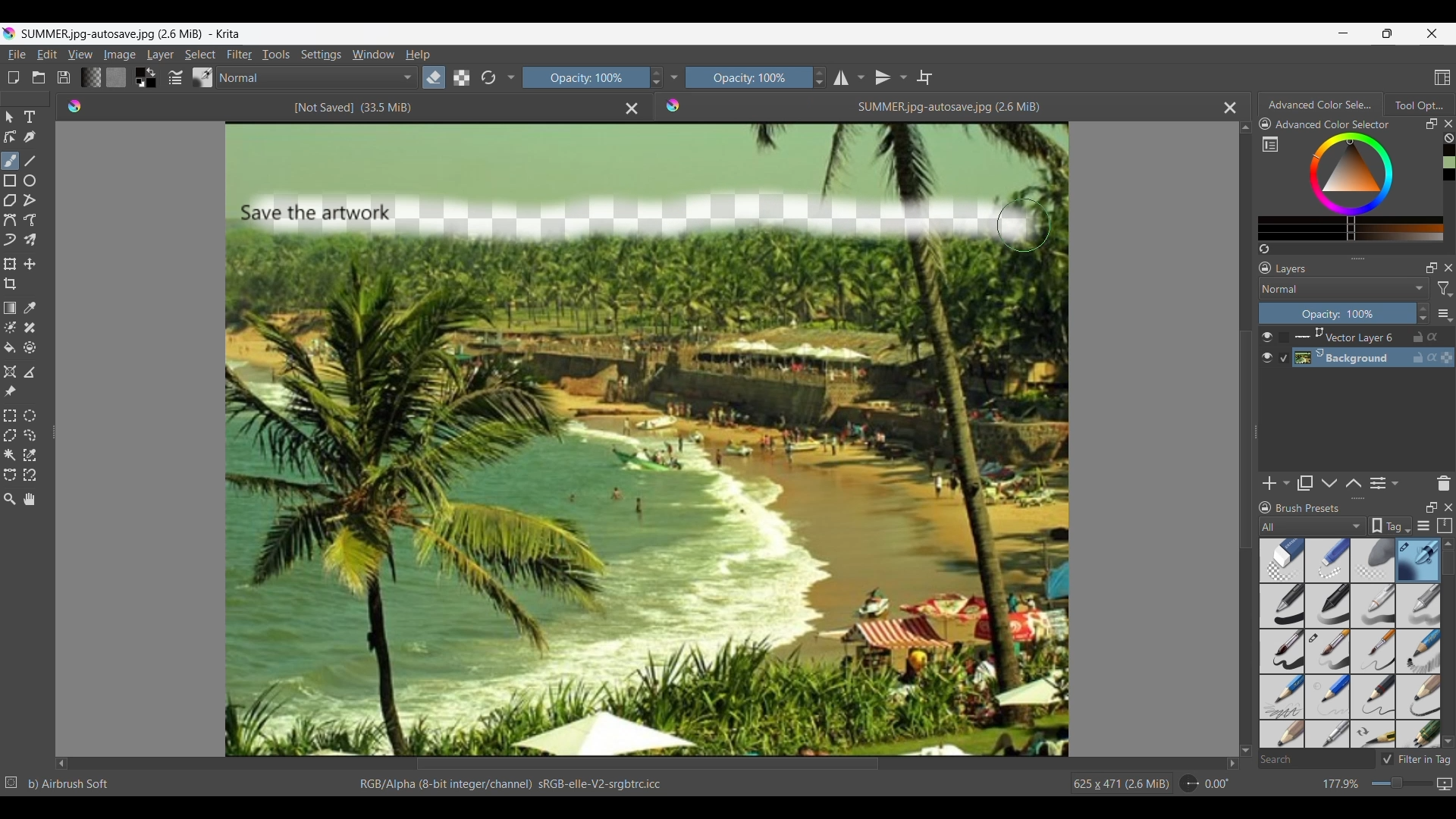  What do you see at coordinates (1387, 33) in the screenshot?
I see `Show interface in a smaller tab` at bounding box center [1387, 33].